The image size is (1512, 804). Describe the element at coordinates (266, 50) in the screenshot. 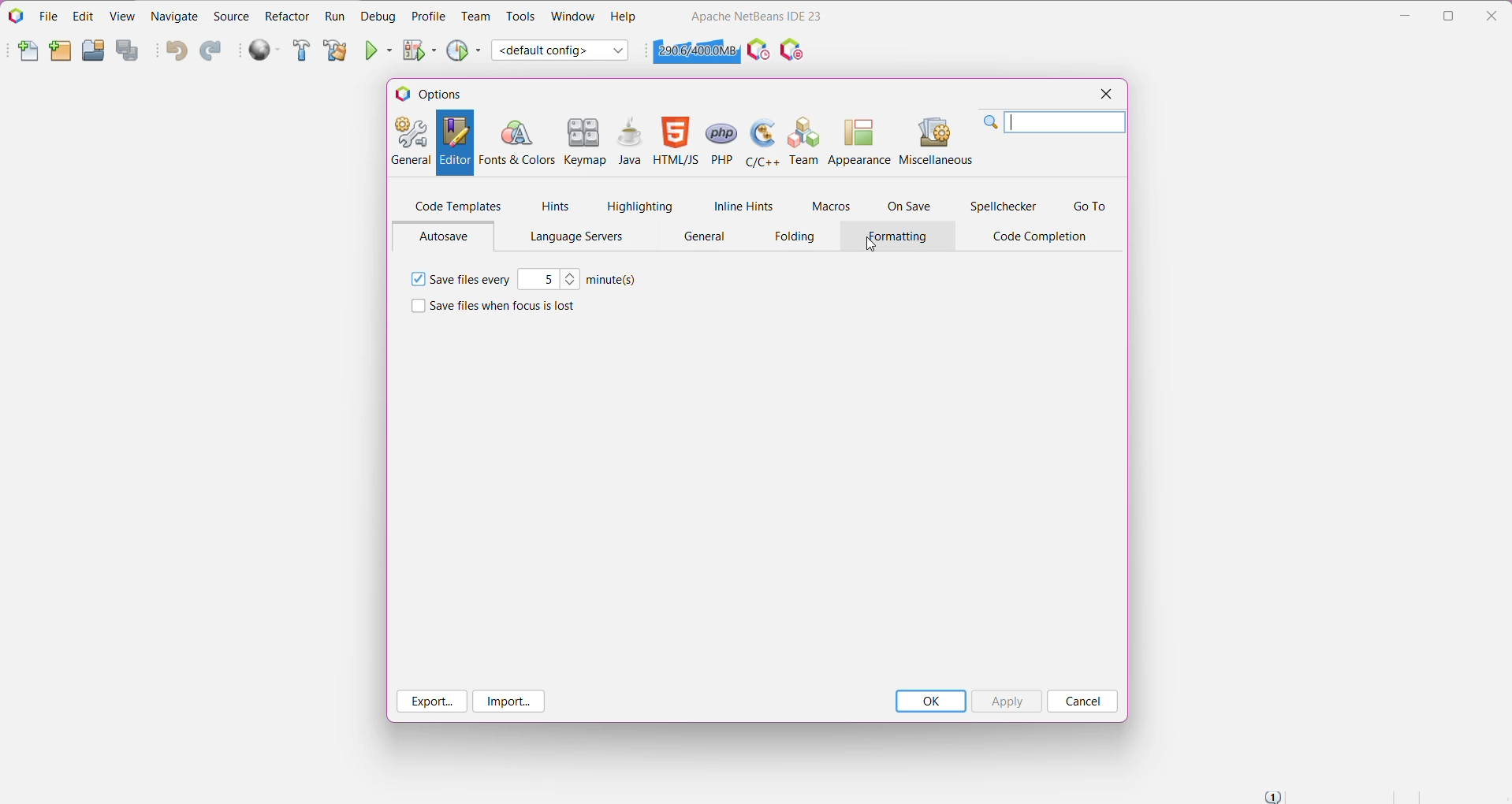

I see `Run All` at that location.